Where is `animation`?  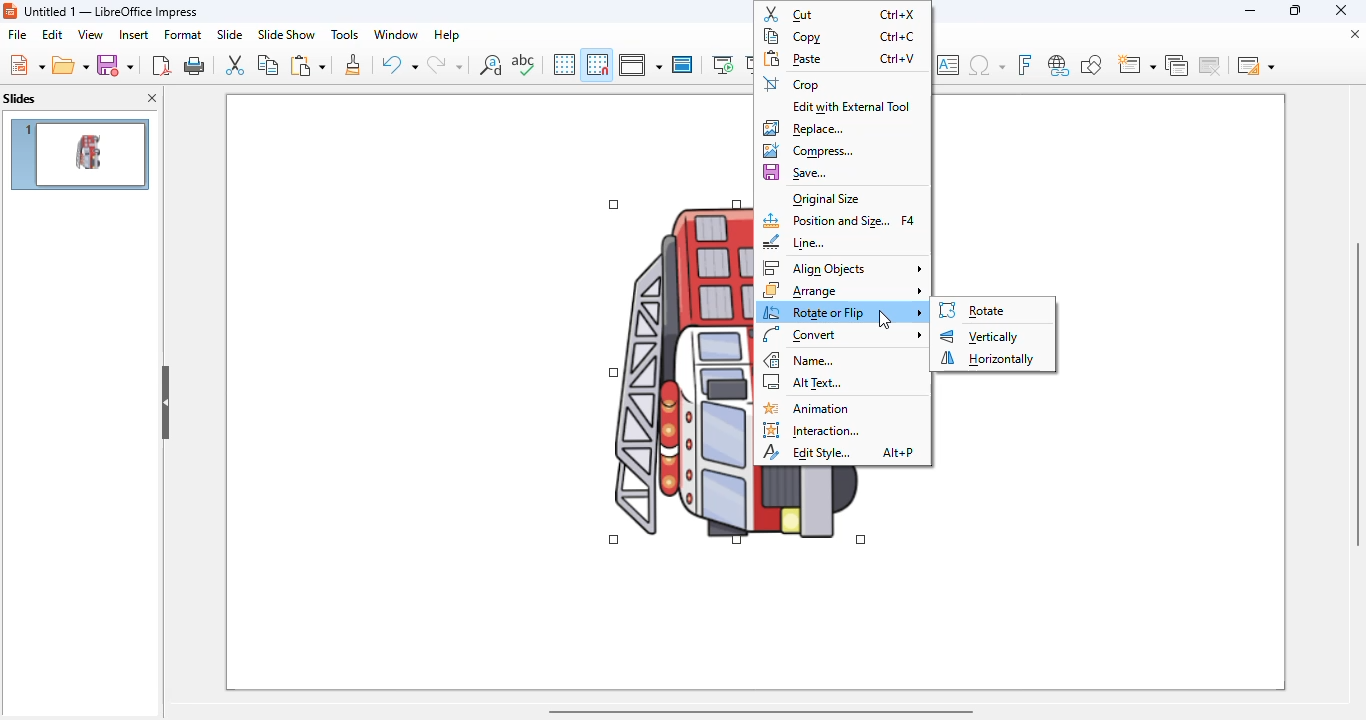 animation is located at coordinates (807, 408).